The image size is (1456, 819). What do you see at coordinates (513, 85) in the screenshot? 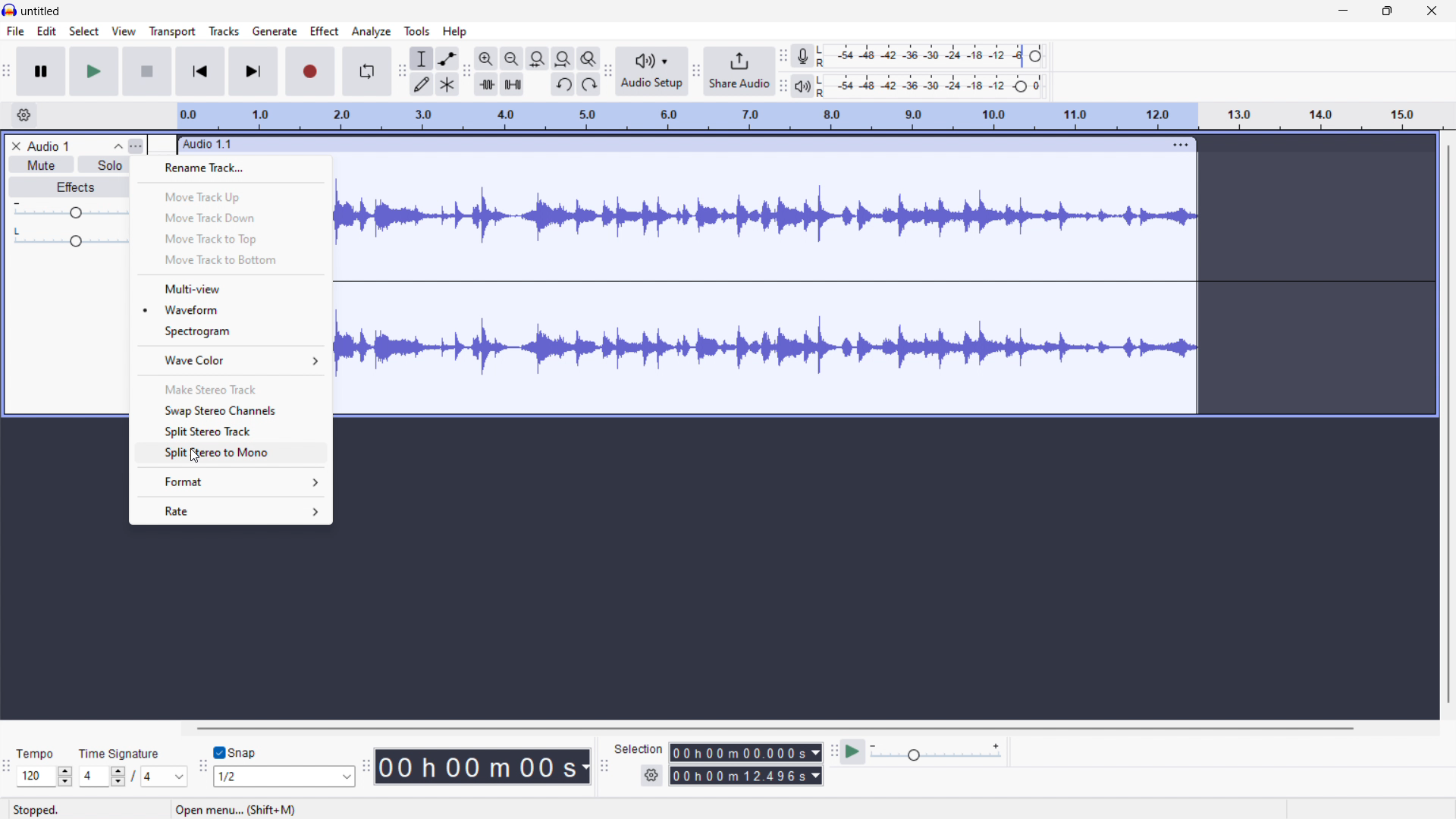
I see `silence audio selection` at bounding box center [513, 85].